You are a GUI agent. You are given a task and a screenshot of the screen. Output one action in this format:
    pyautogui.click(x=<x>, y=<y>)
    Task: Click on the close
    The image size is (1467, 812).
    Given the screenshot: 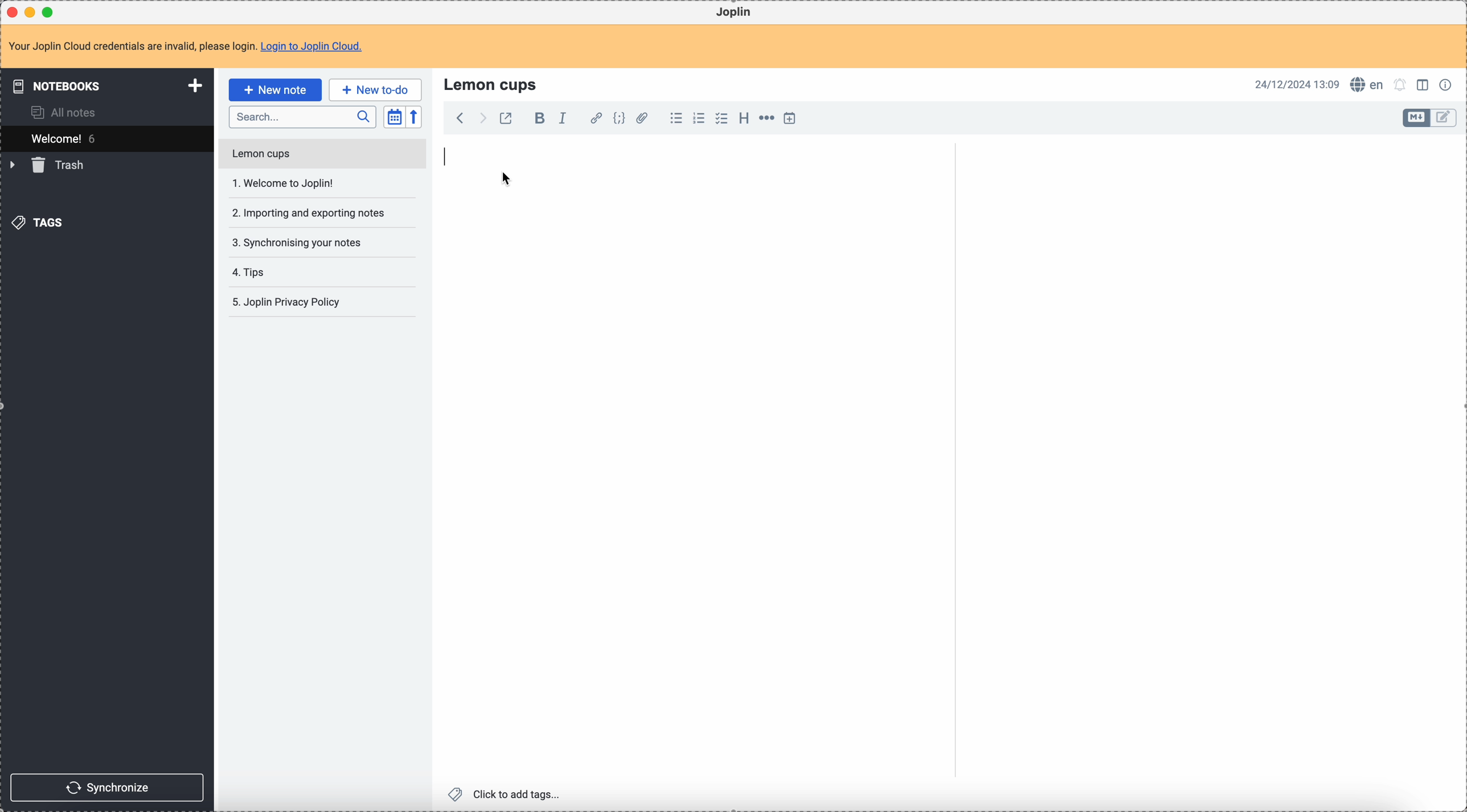 What is the action you would take?
    pyautogui.click(x=14, y=13)
    